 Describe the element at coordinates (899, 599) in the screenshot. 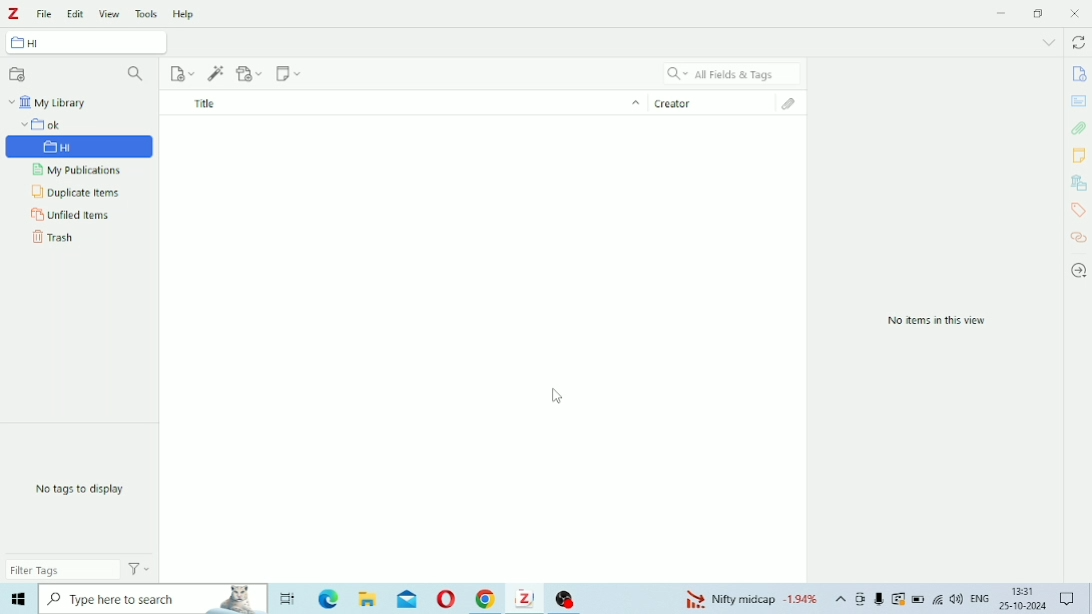

I see `Warning` at that location.